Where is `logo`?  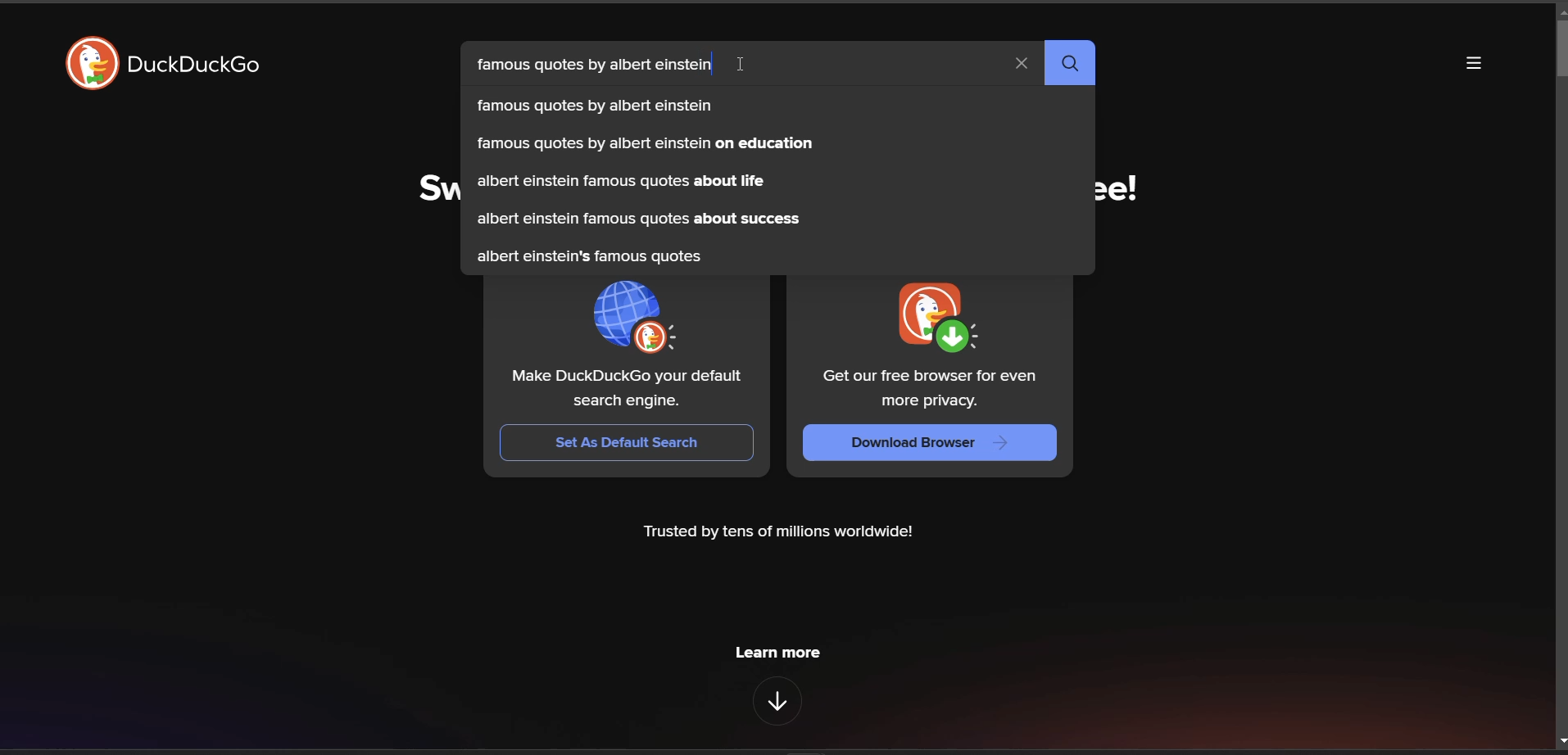
logo is located at coordinates (633, 317).